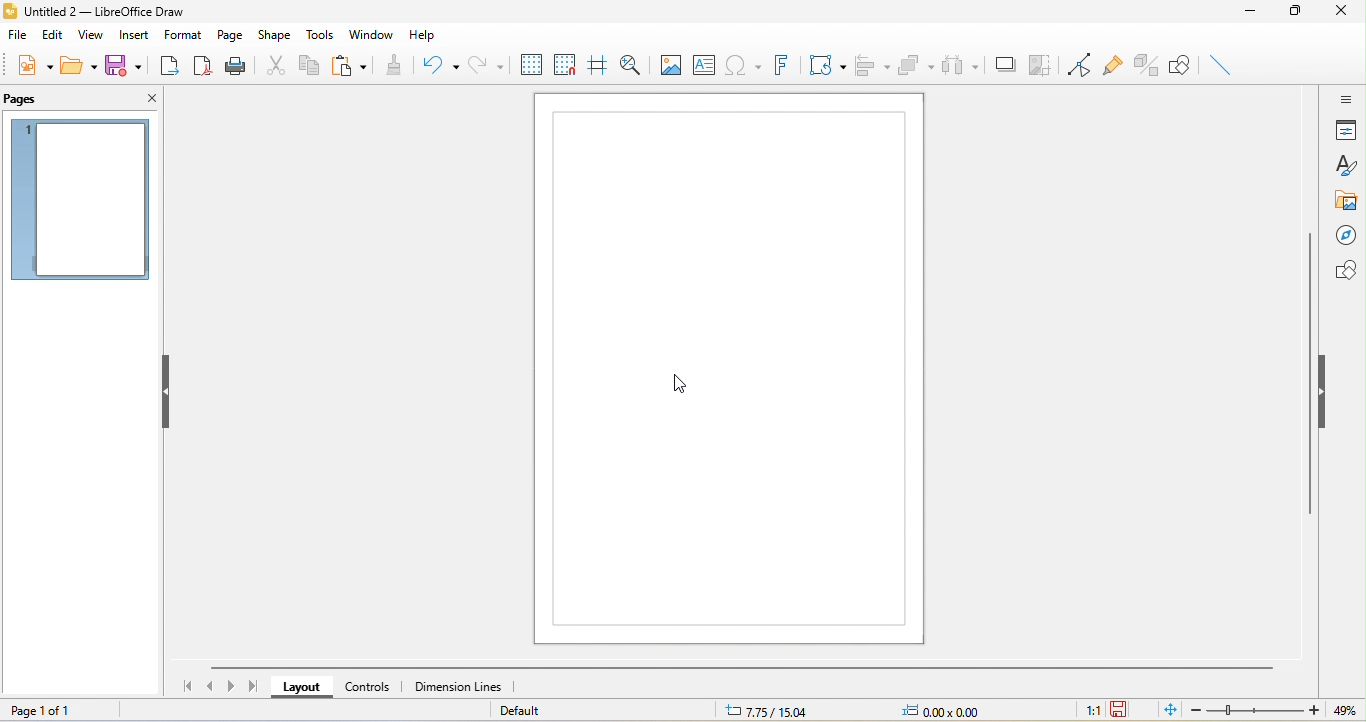 This screenshot has height=722, width=1366. I want to click on show draw function, so click(1184, 66).